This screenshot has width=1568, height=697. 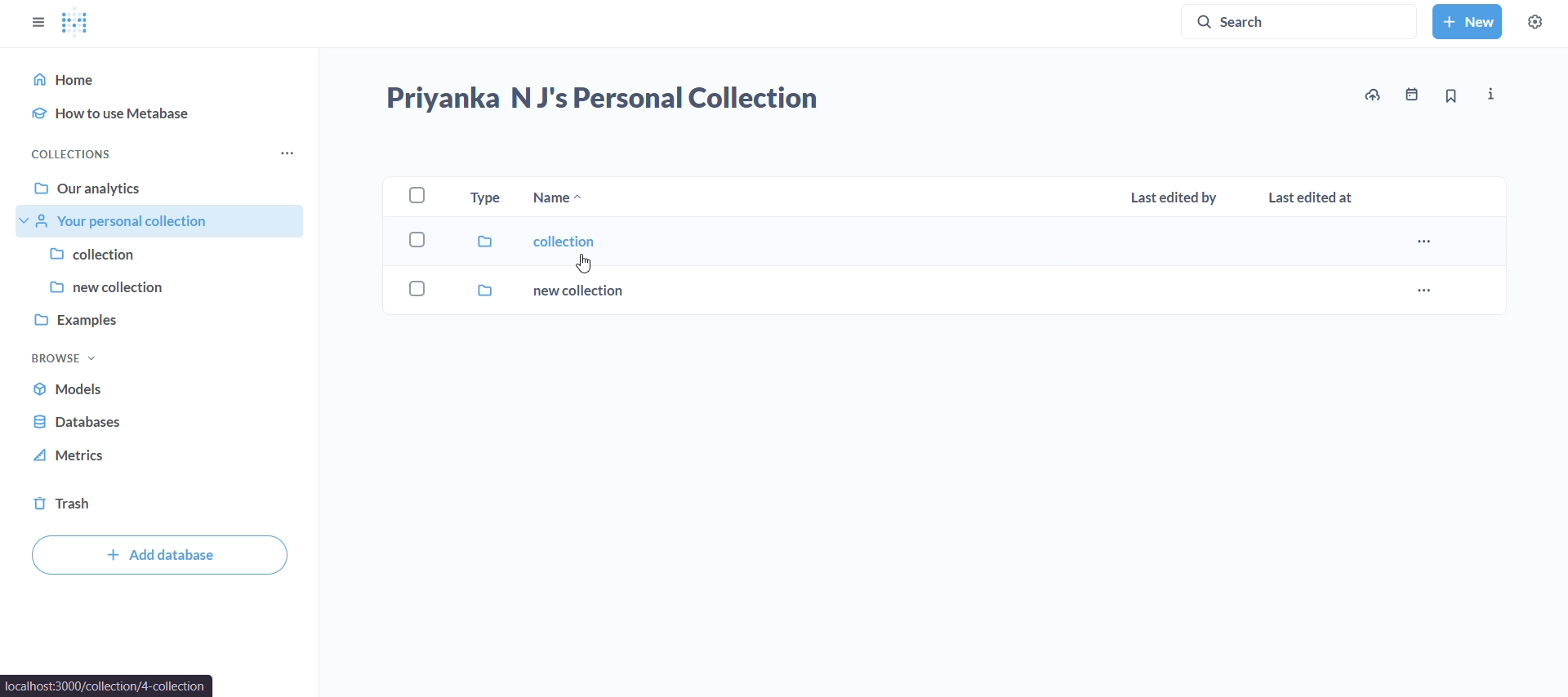 What do you see at coordinates (83, 422) in the screenshot?
I see `database` at bounding box center [83, 422].